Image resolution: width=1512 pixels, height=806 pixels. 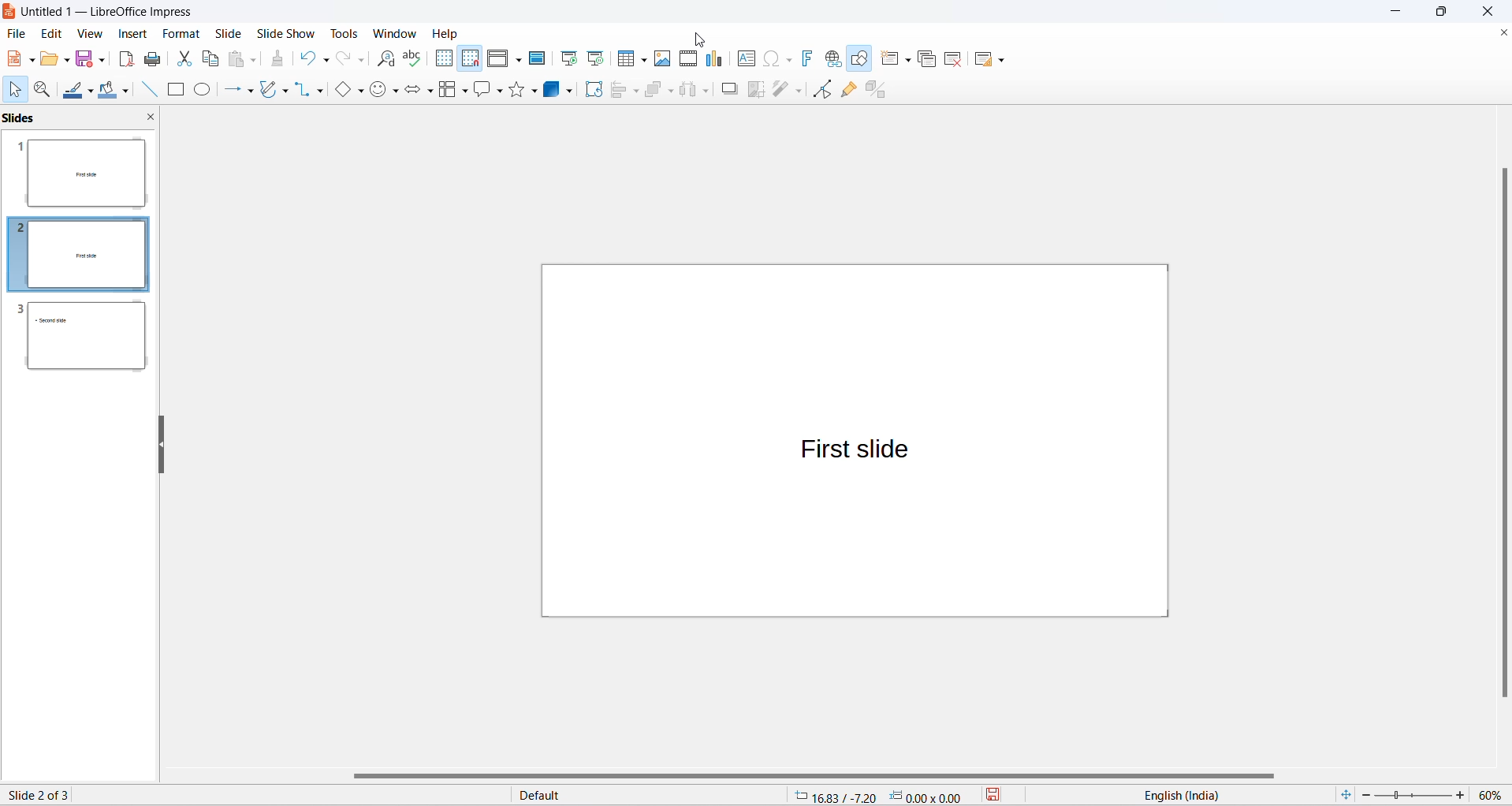 What do you see at coordinates (1467, 794) in the screenshot?
I see `increase zoom` at bounding box center [1467, 794].